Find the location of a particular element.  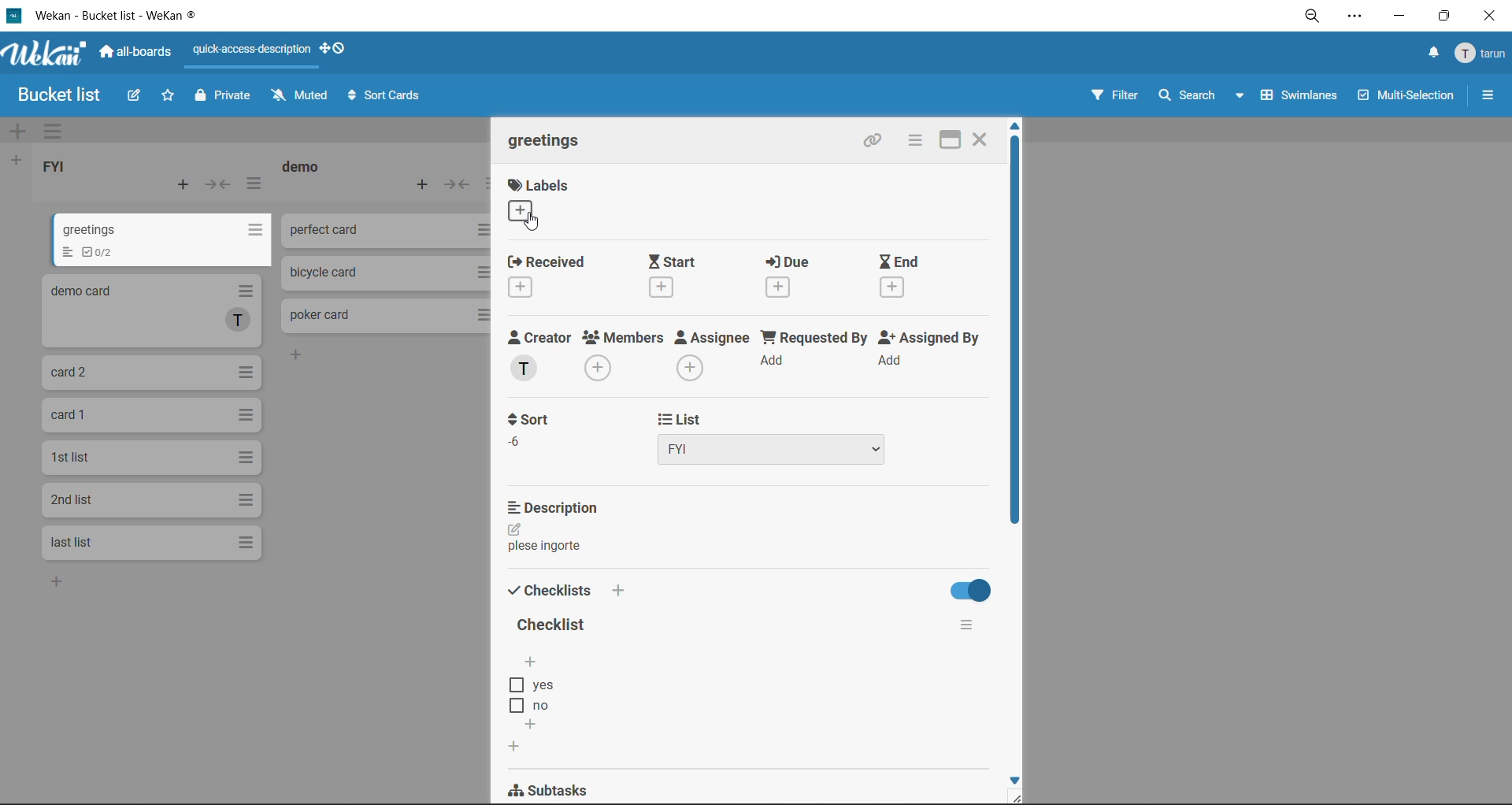

list is located at coordinates (775, 438).